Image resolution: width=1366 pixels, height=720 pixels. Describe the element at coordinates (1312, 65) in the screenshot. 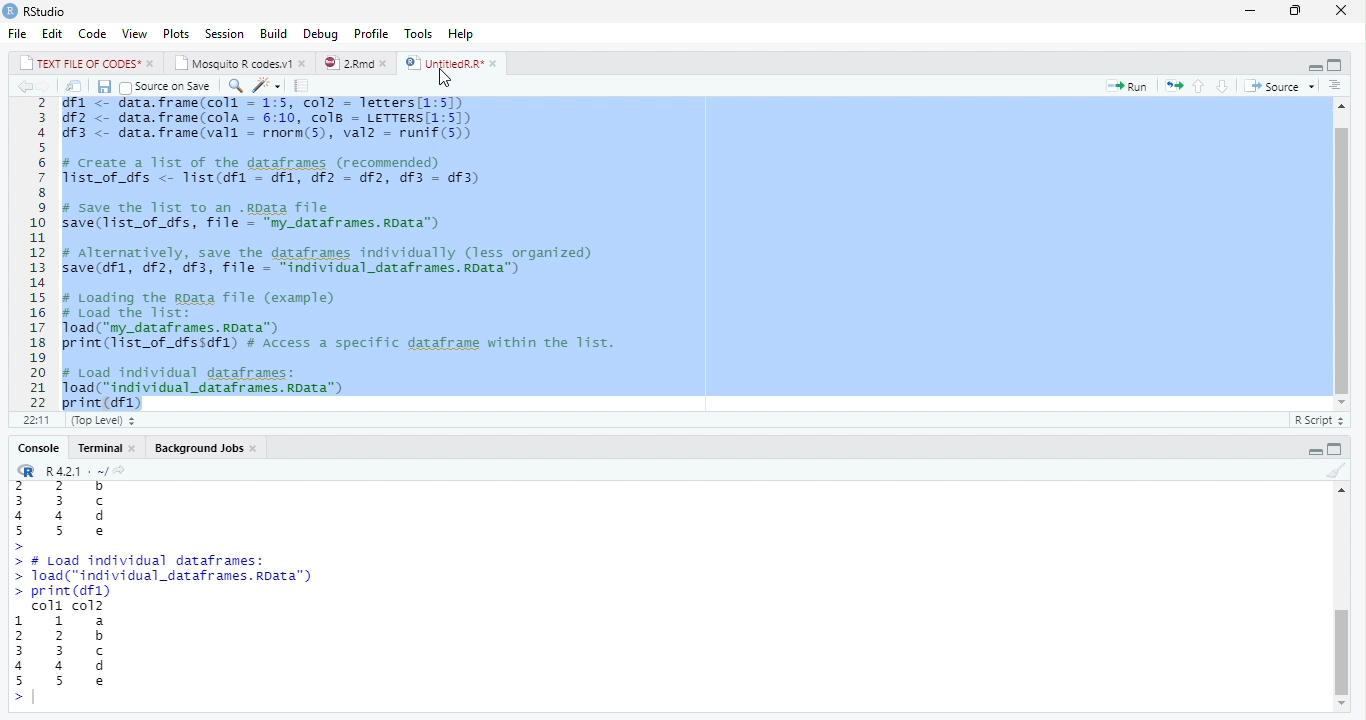

I see `Hide` at that location.